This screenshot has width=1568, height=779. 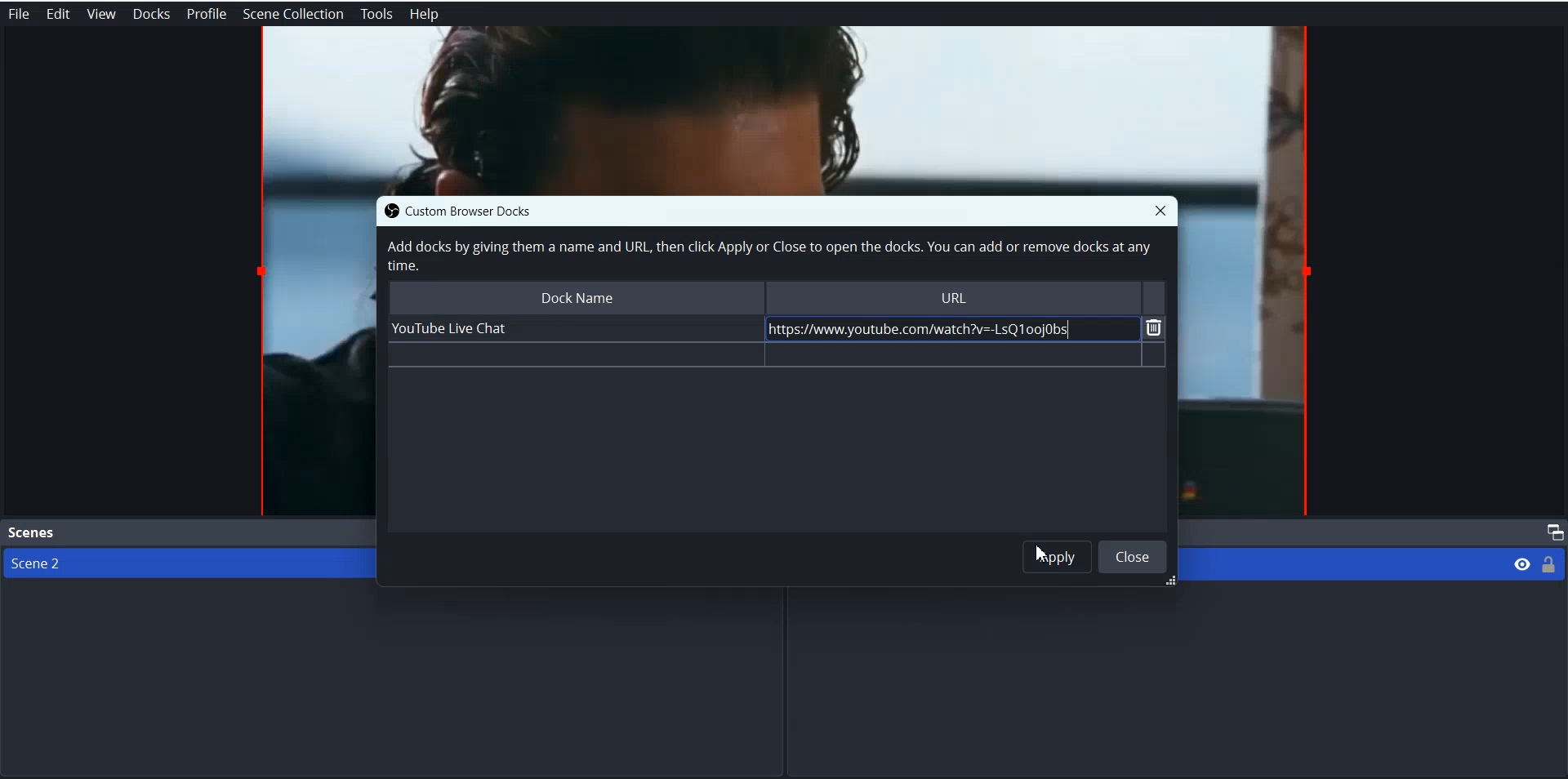 I want to click on Maximize, so click(x=1552, y=532).